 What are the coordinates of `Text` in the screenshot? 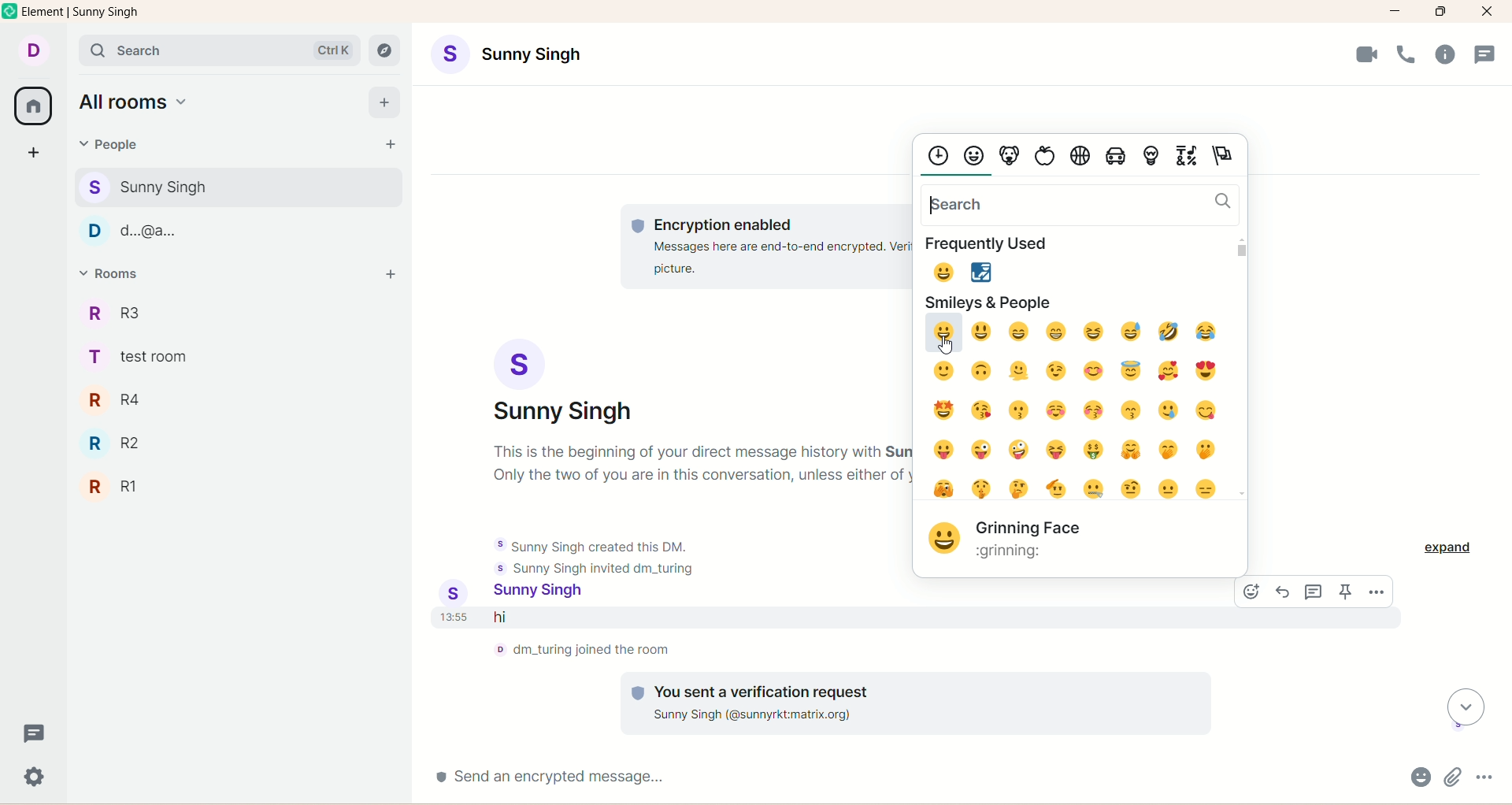 It's located at (1032, 540).